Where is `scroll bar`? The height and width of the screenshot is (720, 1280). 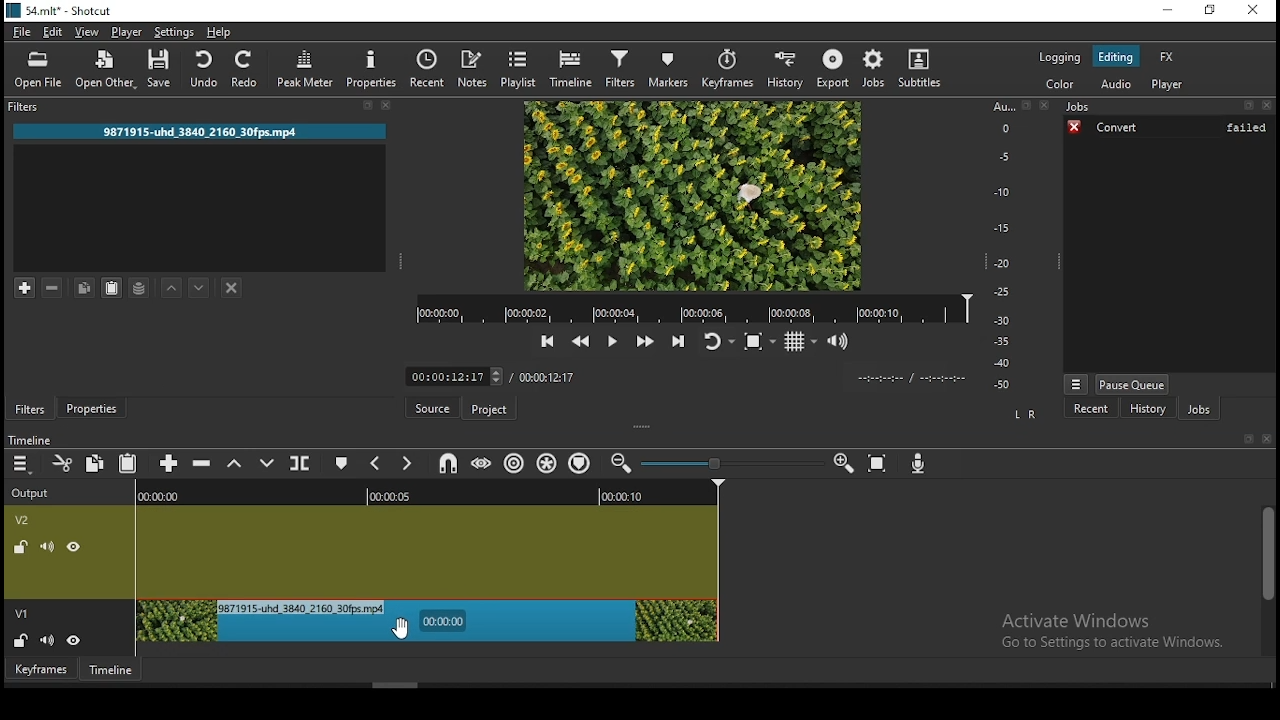
scroll bar is located at coordinates (1264, 580).